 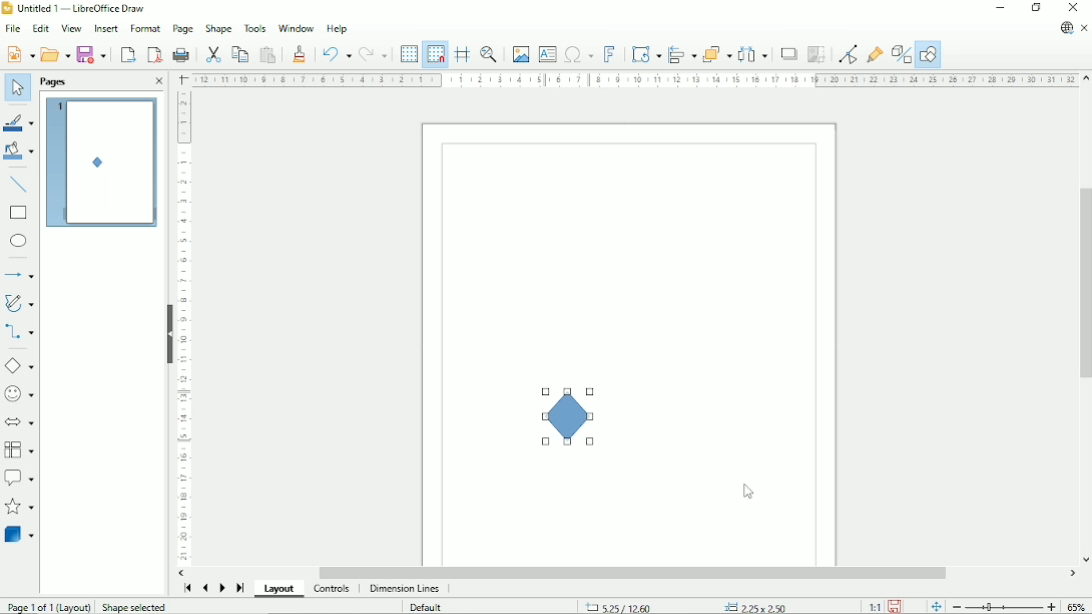 I want to click on Scroll to last page, so click(x=241, y=587).